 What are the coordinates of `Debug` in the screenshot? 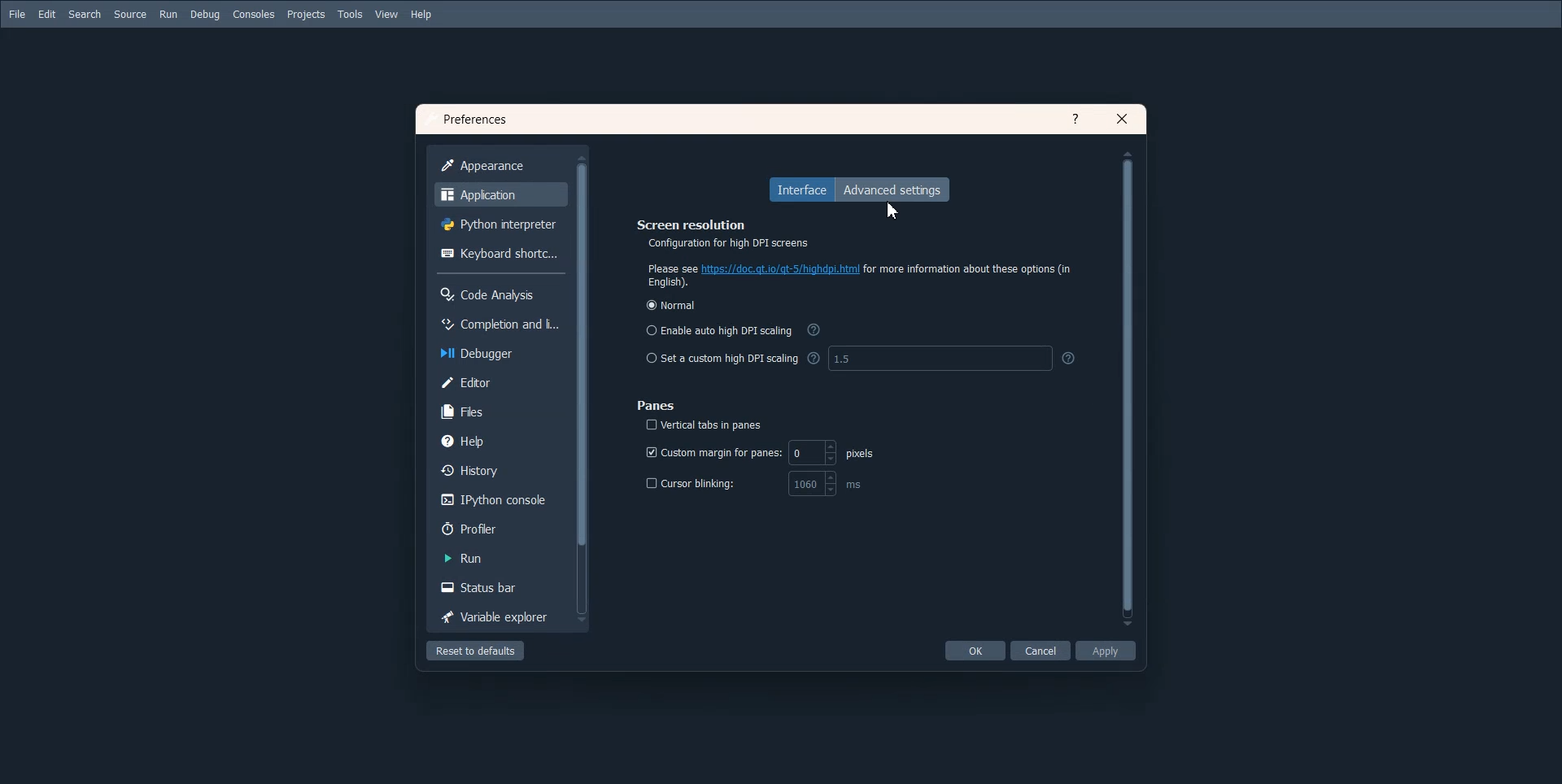 It's located at (205, 15).